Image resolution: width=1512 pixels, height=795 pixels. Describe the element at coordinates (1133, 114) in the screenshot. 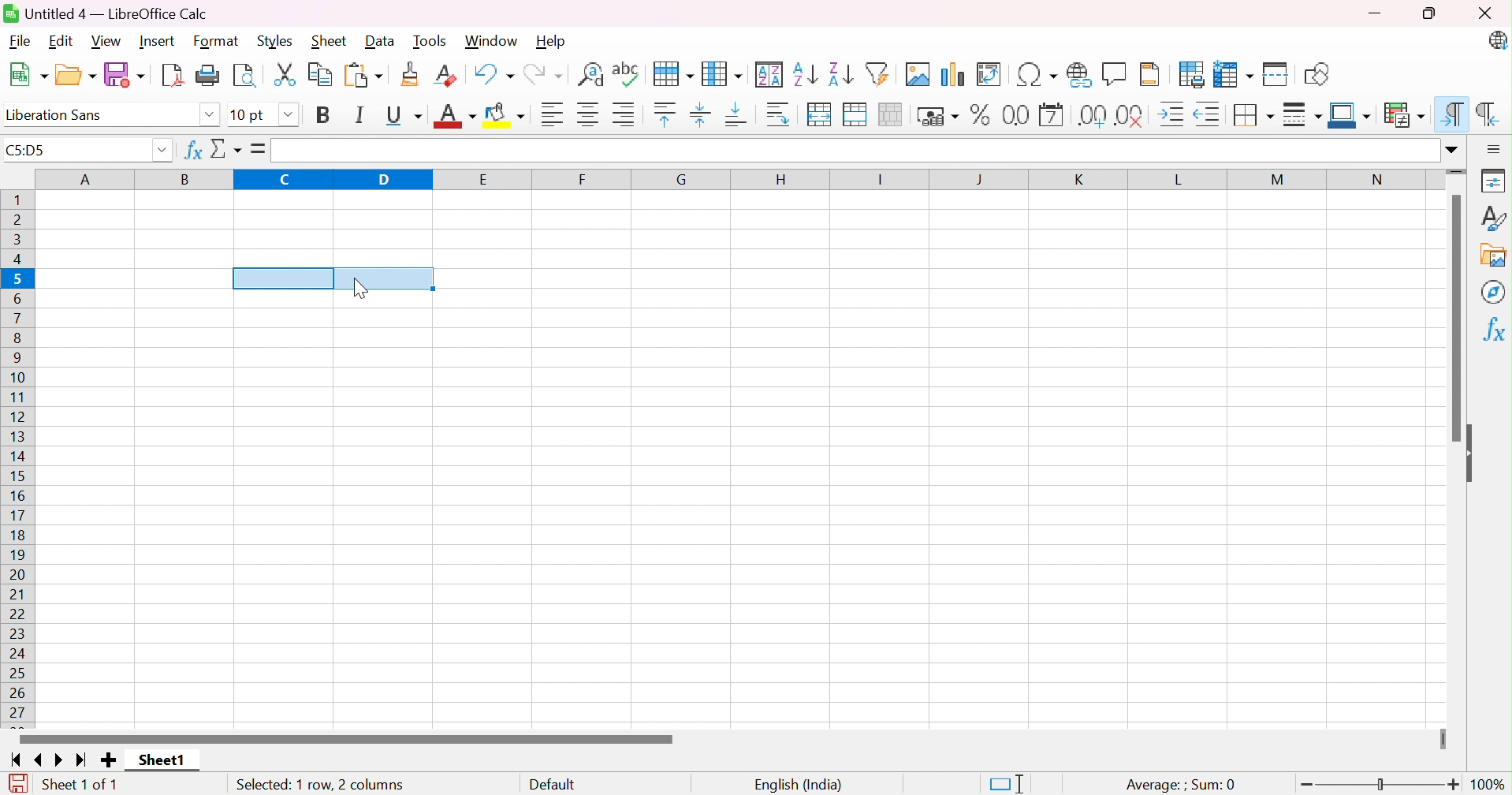

I see `Delete Decimal Place` at that location.